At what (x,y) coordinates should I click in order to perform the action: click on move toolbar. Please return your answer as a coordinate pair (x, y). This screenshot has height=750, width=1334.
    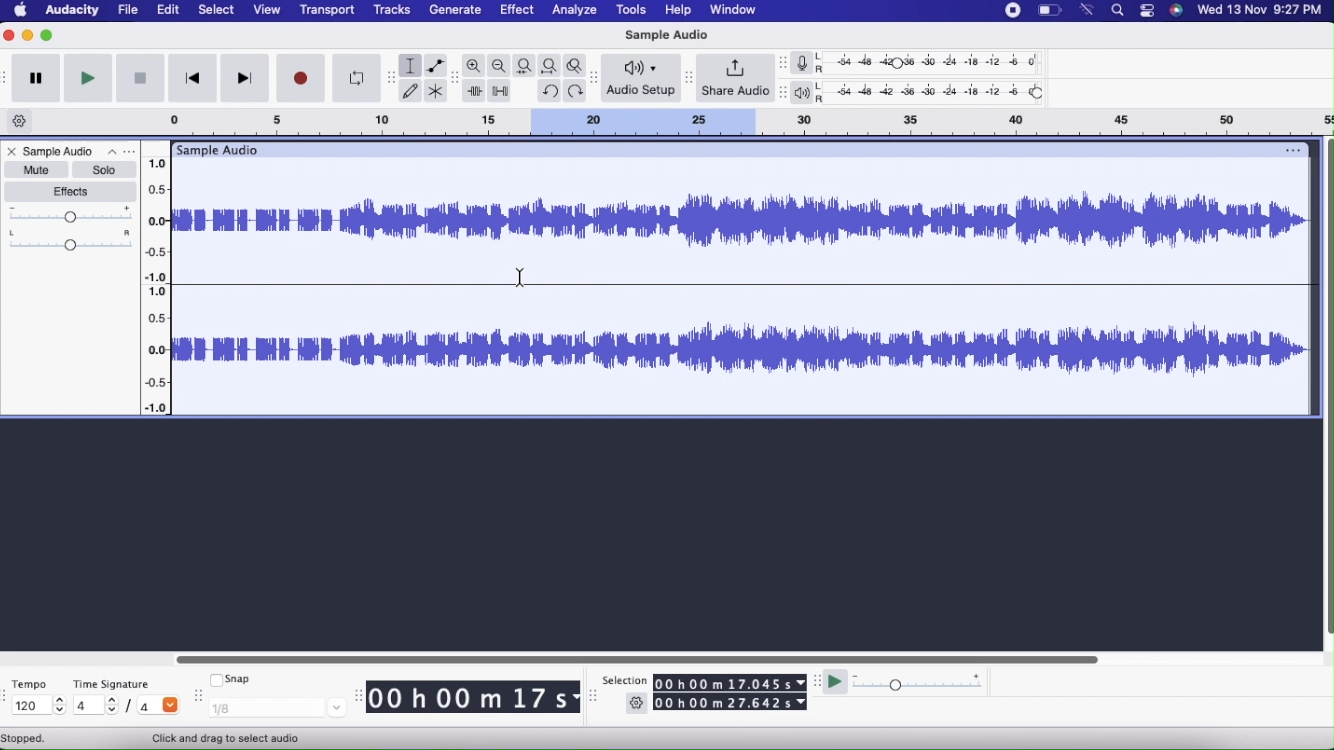
    Looking at the image, I should click on (687, 78).